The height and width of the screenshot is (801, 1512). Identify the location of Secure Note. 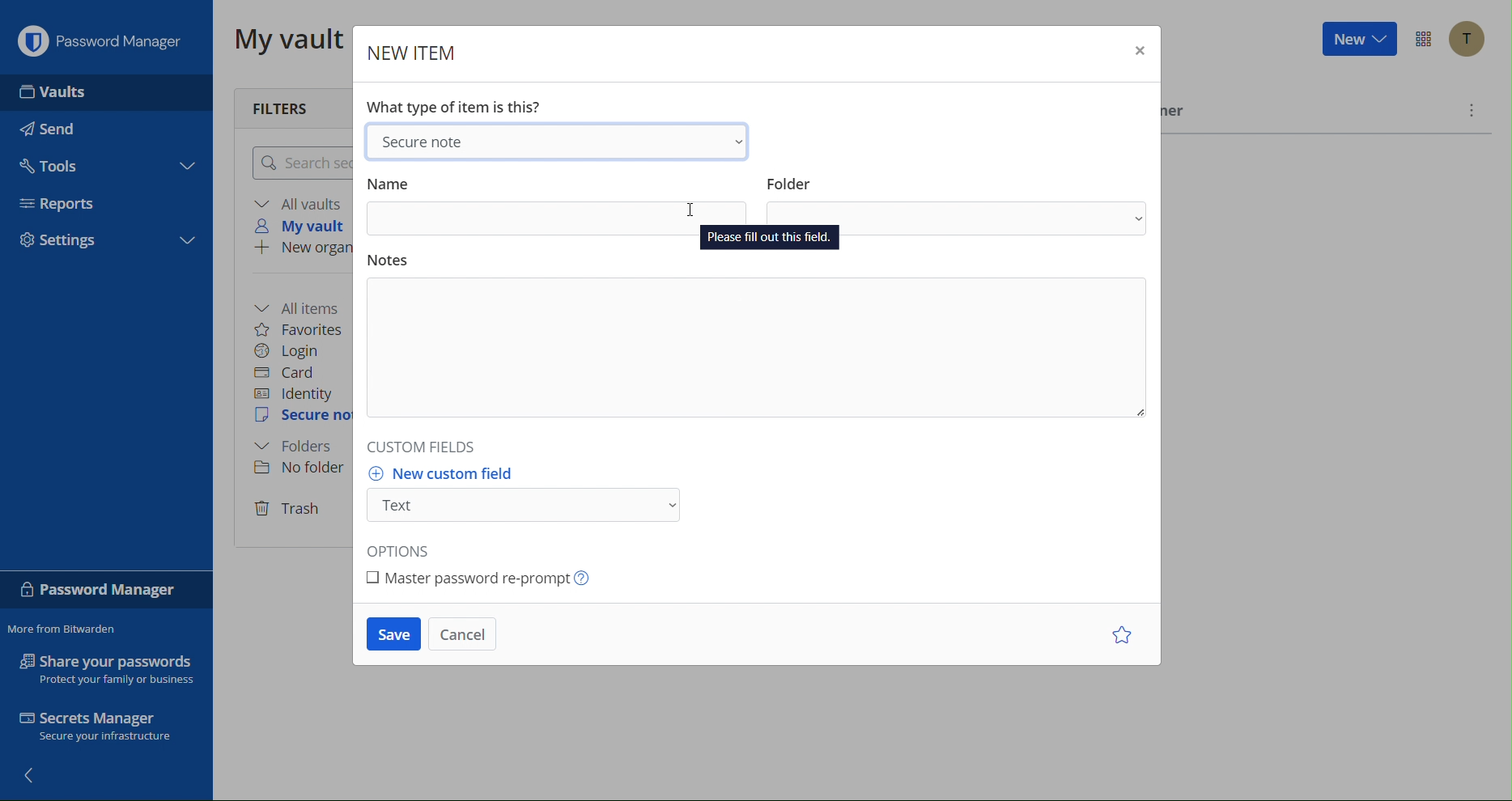
(301, 418).